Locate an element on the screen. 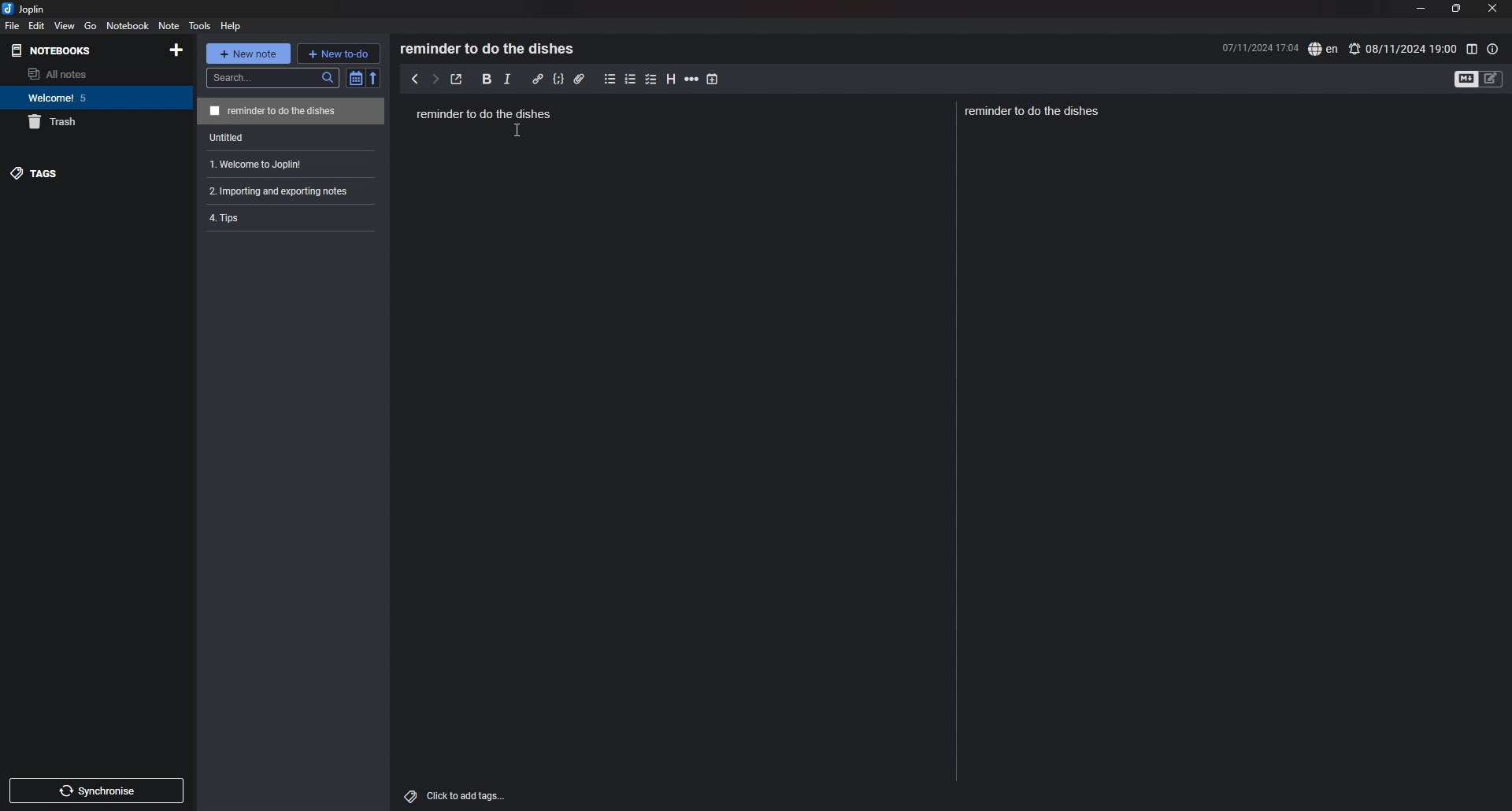 The width and height of the screenshot is (1512, 811). cursor is located at coordinates (518, 130).